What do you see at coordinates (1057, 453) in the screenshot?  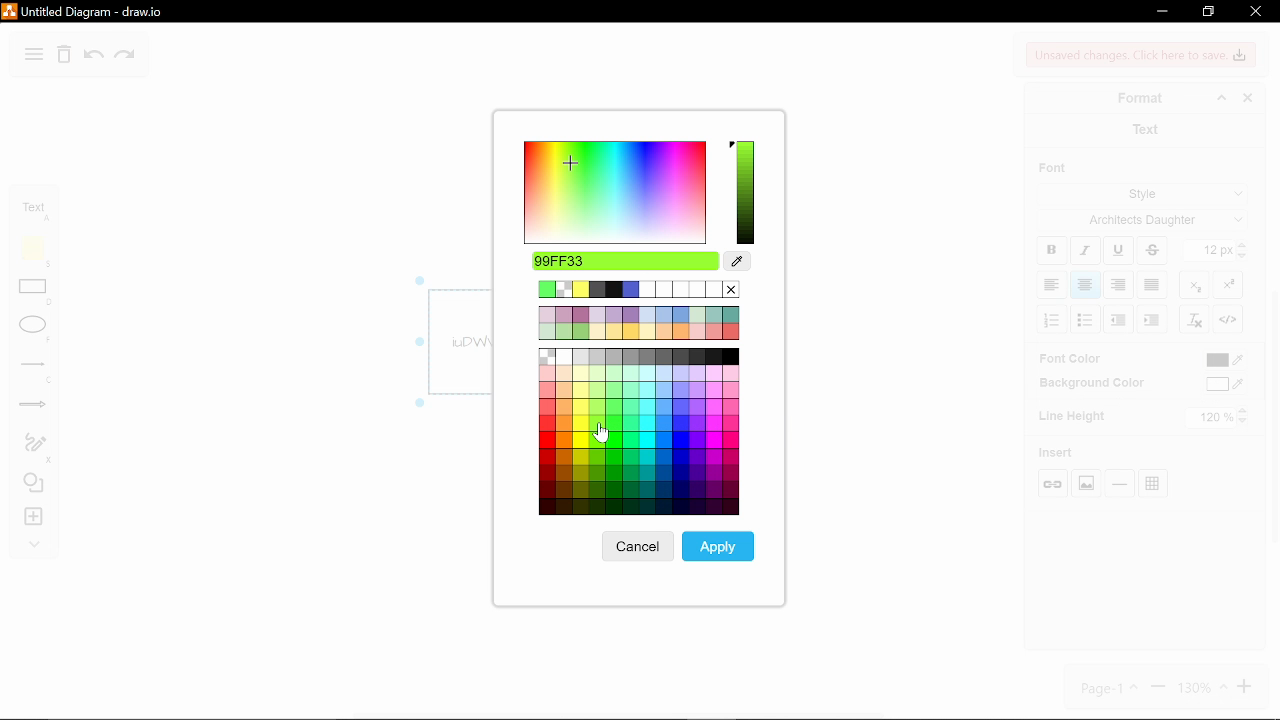 I see `insert` at bounding box center [1057, 453].